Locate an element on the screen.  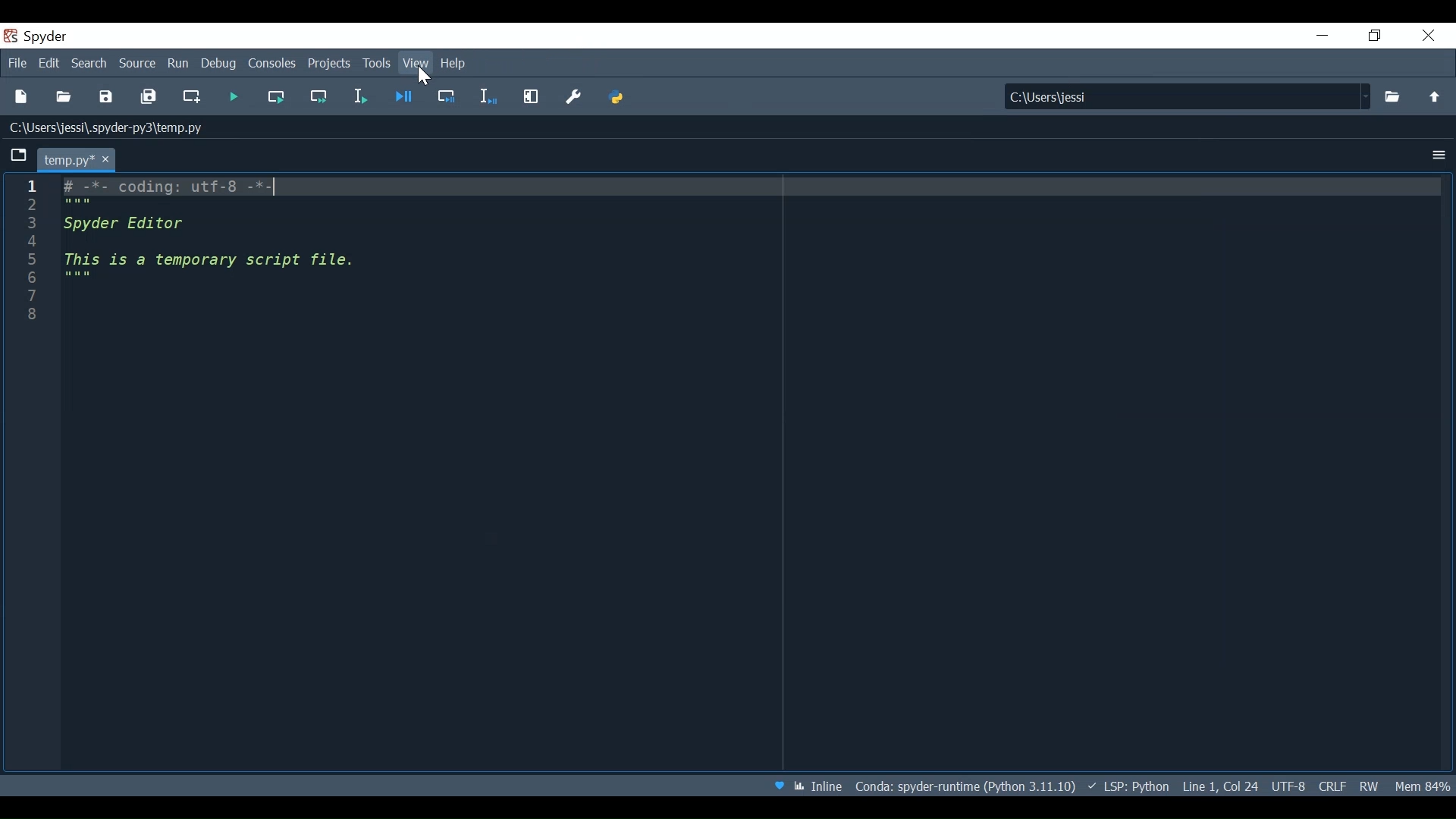
Browse is located at coordinates (1393, 96).